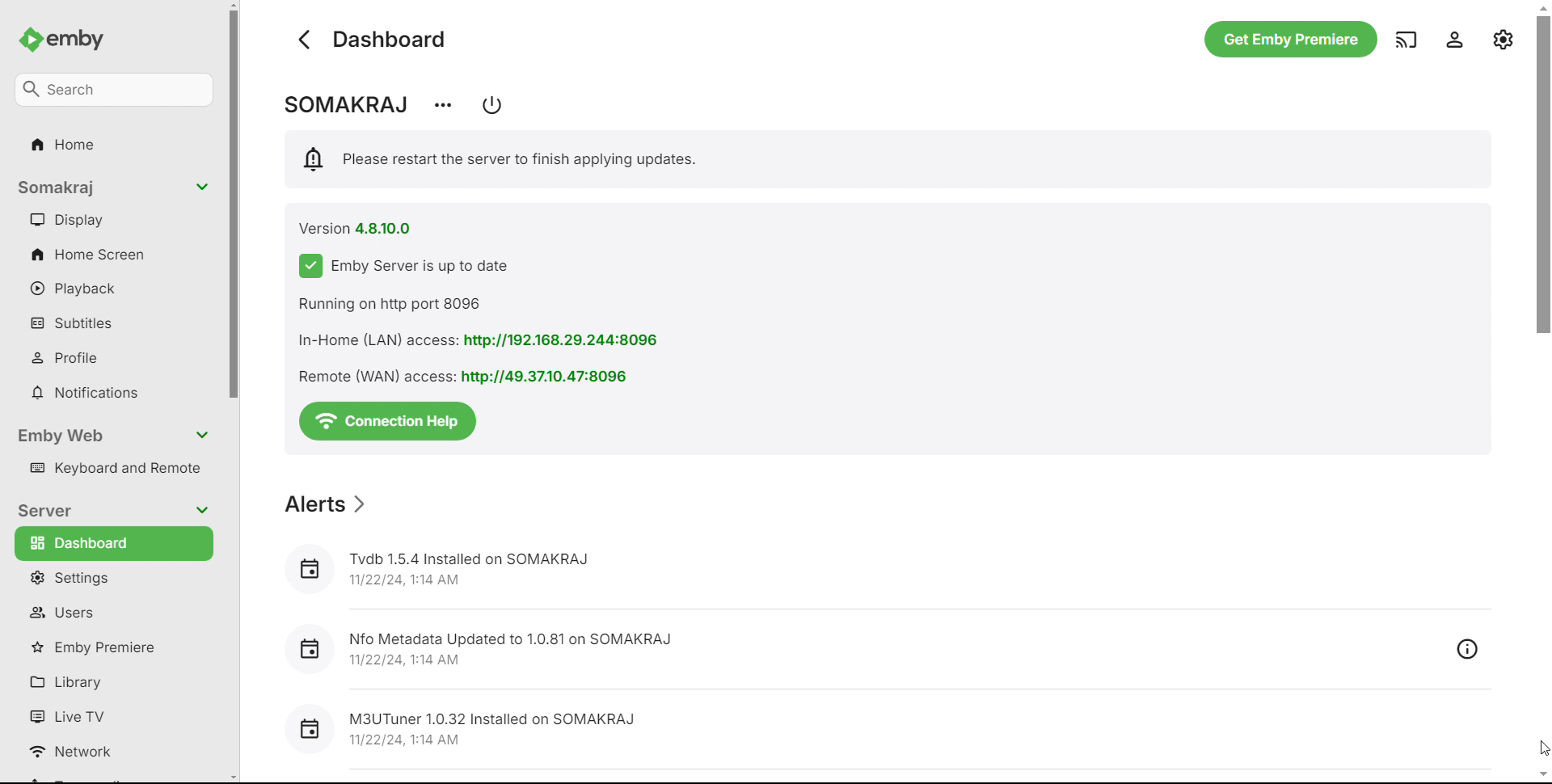  Describe the element at coordinates (113, 750) in the screenshot. I see `network` at that location.